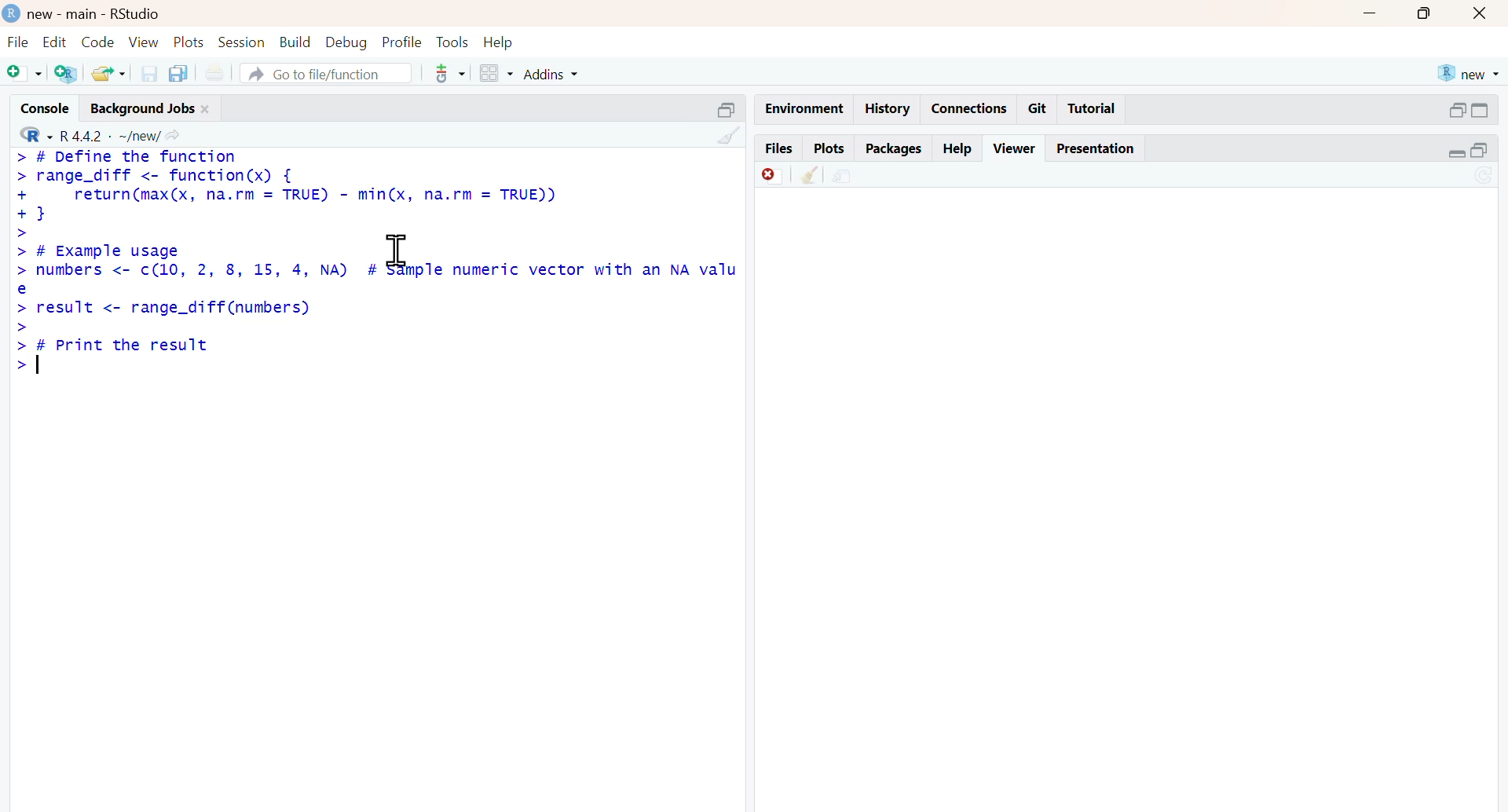 This screenshot has width=1508, height=812. I want to click on add file as, so click(26, 74).